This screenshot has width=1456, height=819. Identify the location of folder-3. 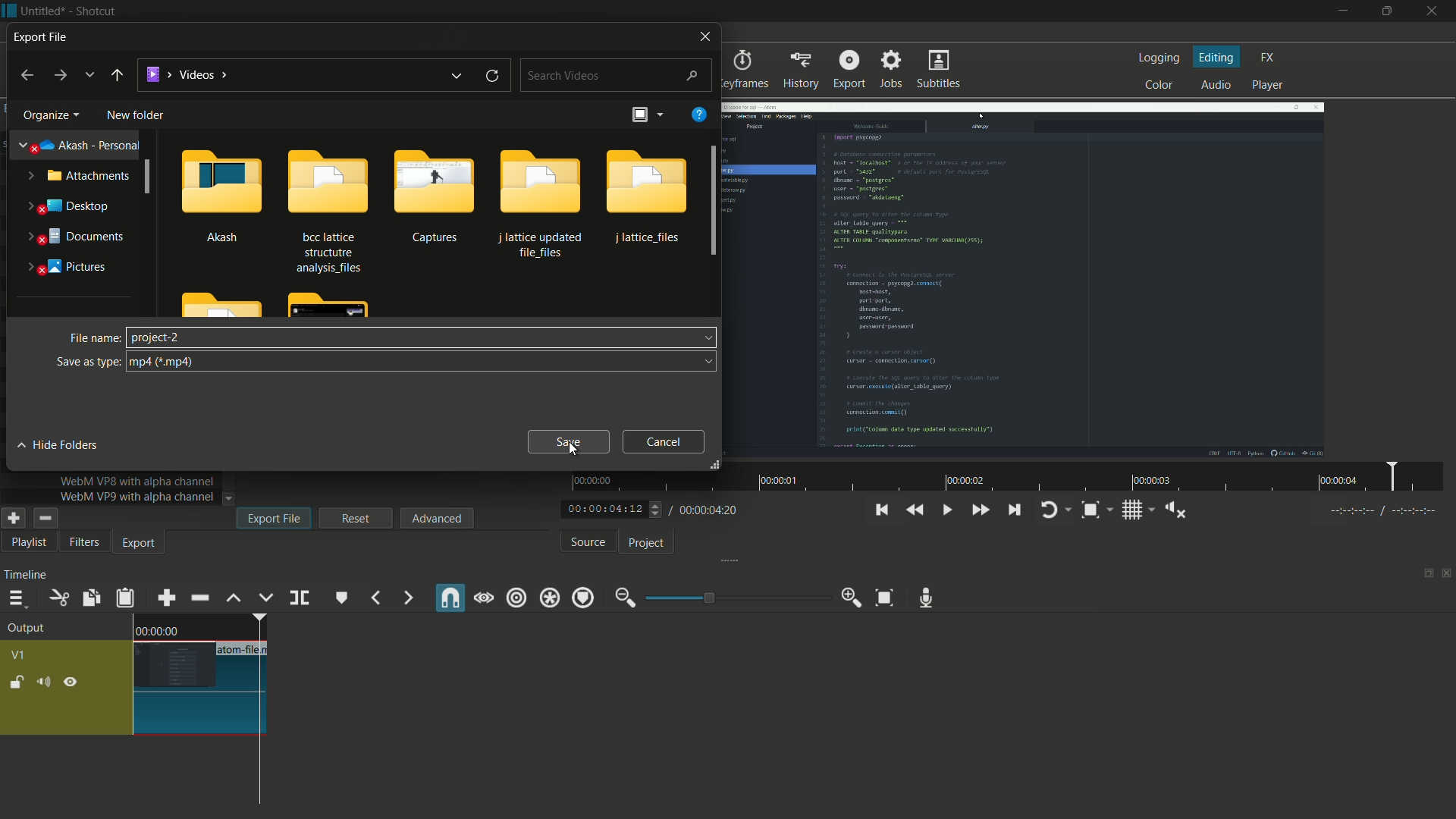
(431, 196).